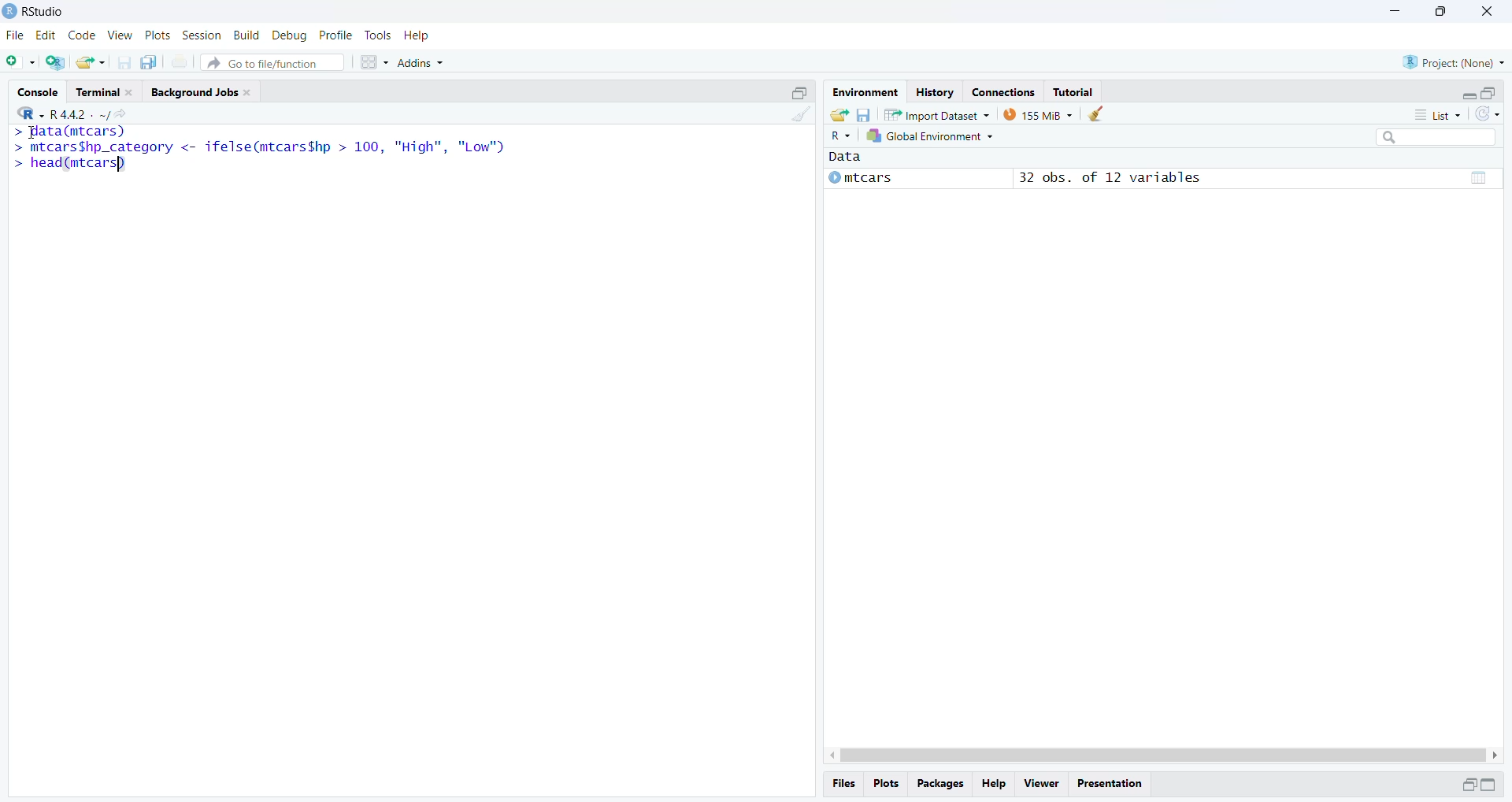 The width and height of the screenshot is (1512, 802). I want to click on Console, so click(40, 91).